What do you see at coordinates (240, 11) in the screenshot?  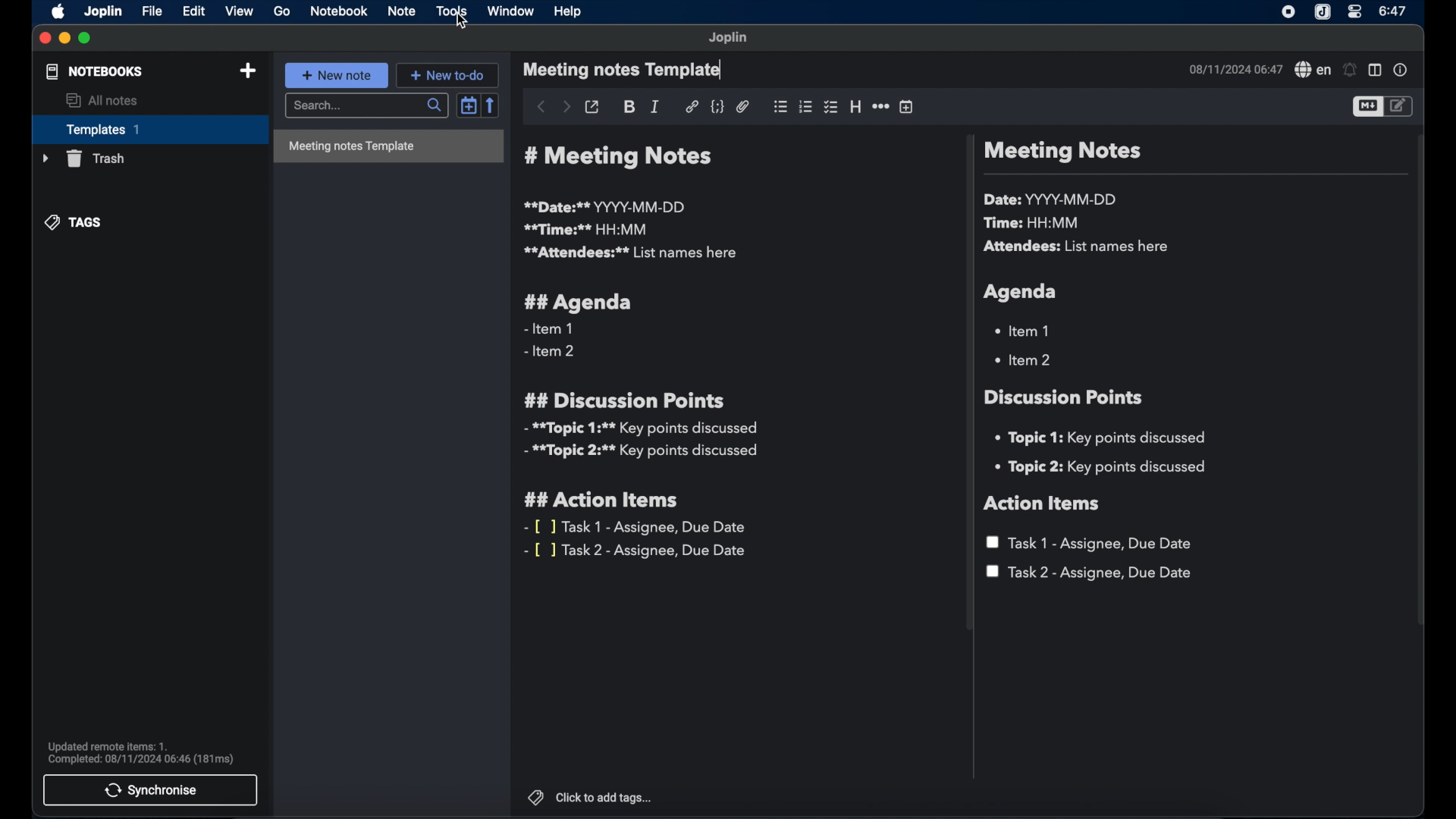 I see `view` at bounding box center [240, 11].